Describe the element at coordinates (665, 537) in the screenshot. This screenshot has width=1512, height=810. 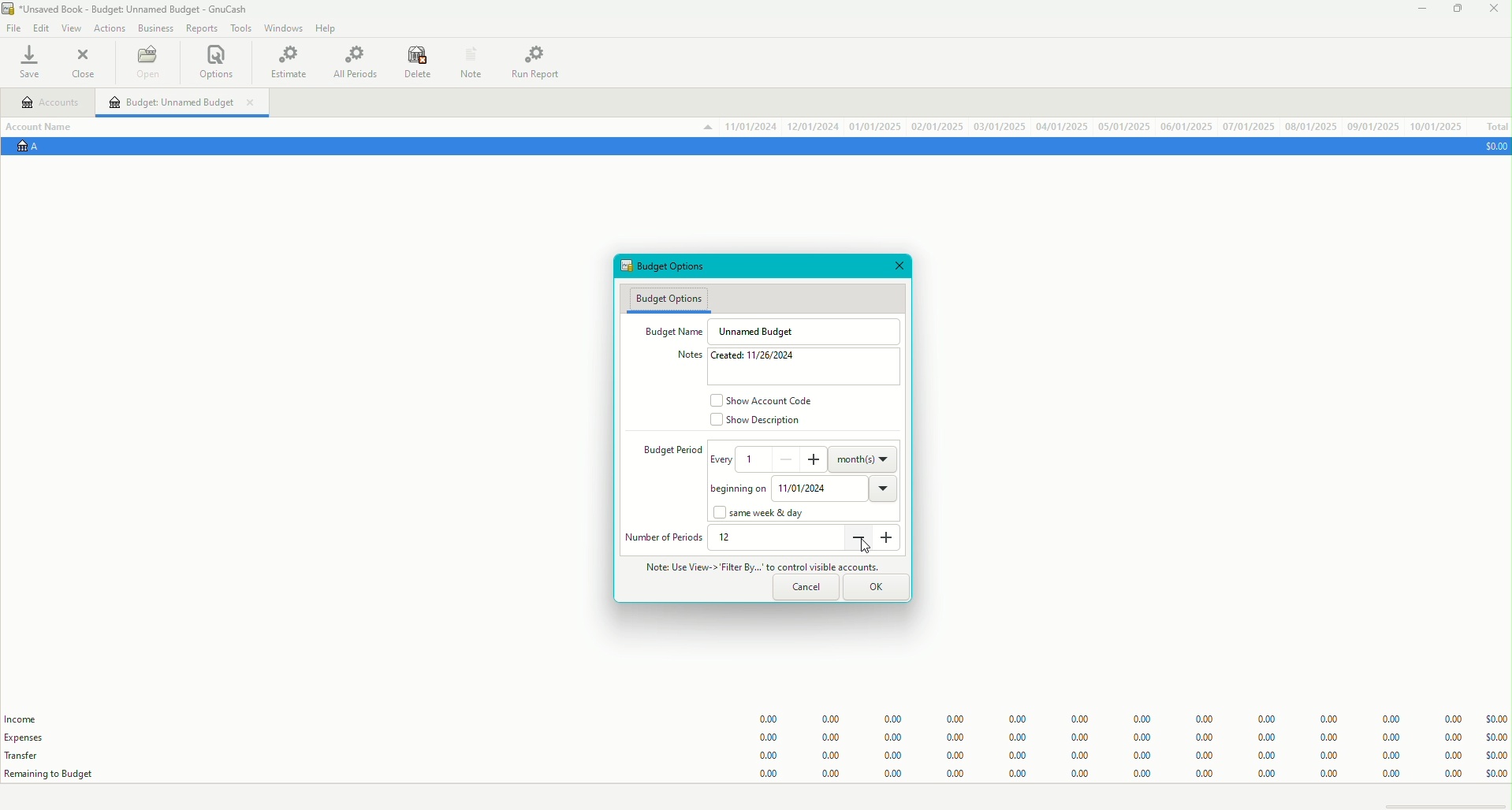
I see `Number of Periods` at that location.